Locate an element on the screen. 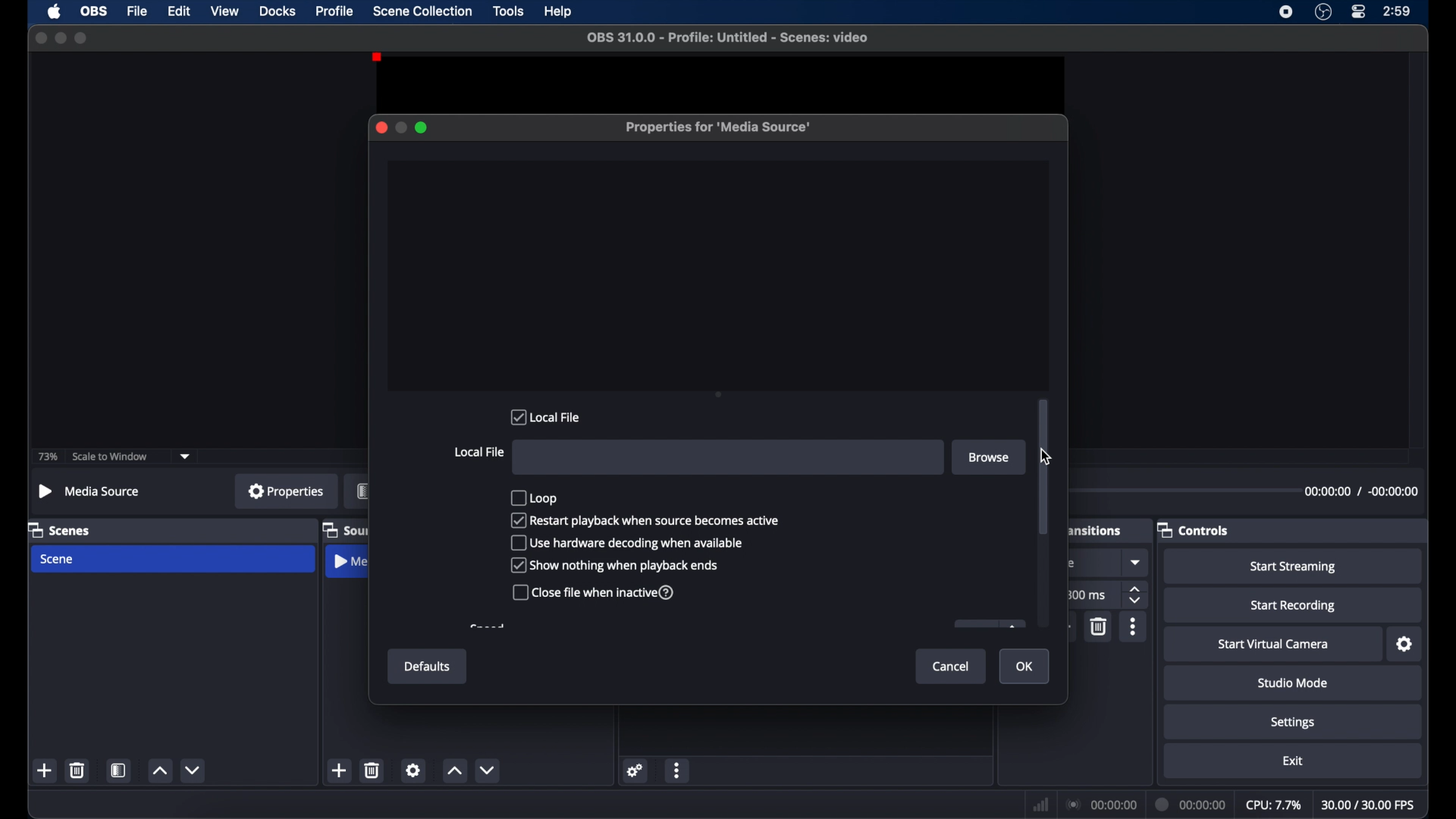 This screenshot has width=1456, height=819. start virtual camera is located at coordinates (1274, 645).